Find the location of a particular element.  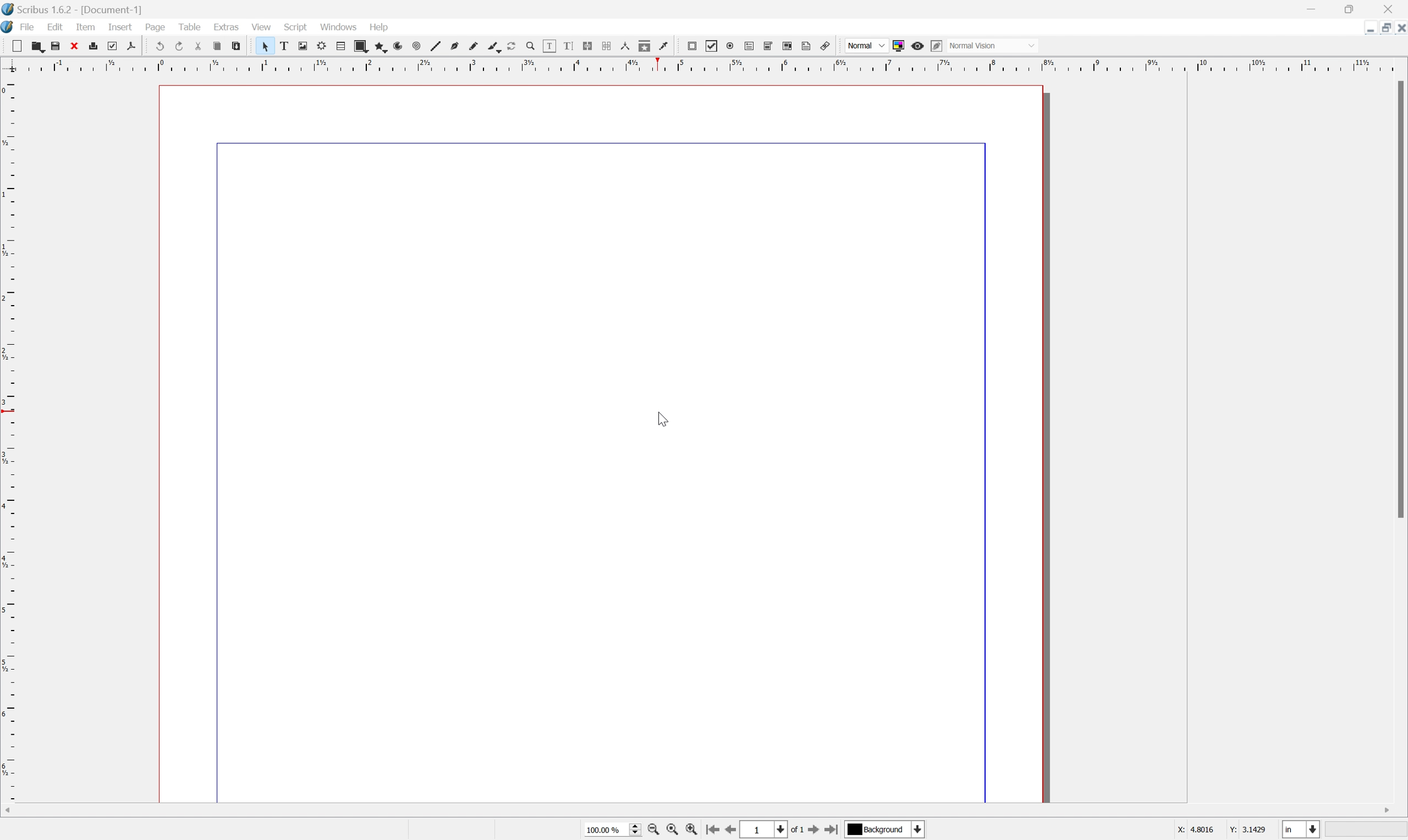

select current zoom level is located at coordinates (613, 830).